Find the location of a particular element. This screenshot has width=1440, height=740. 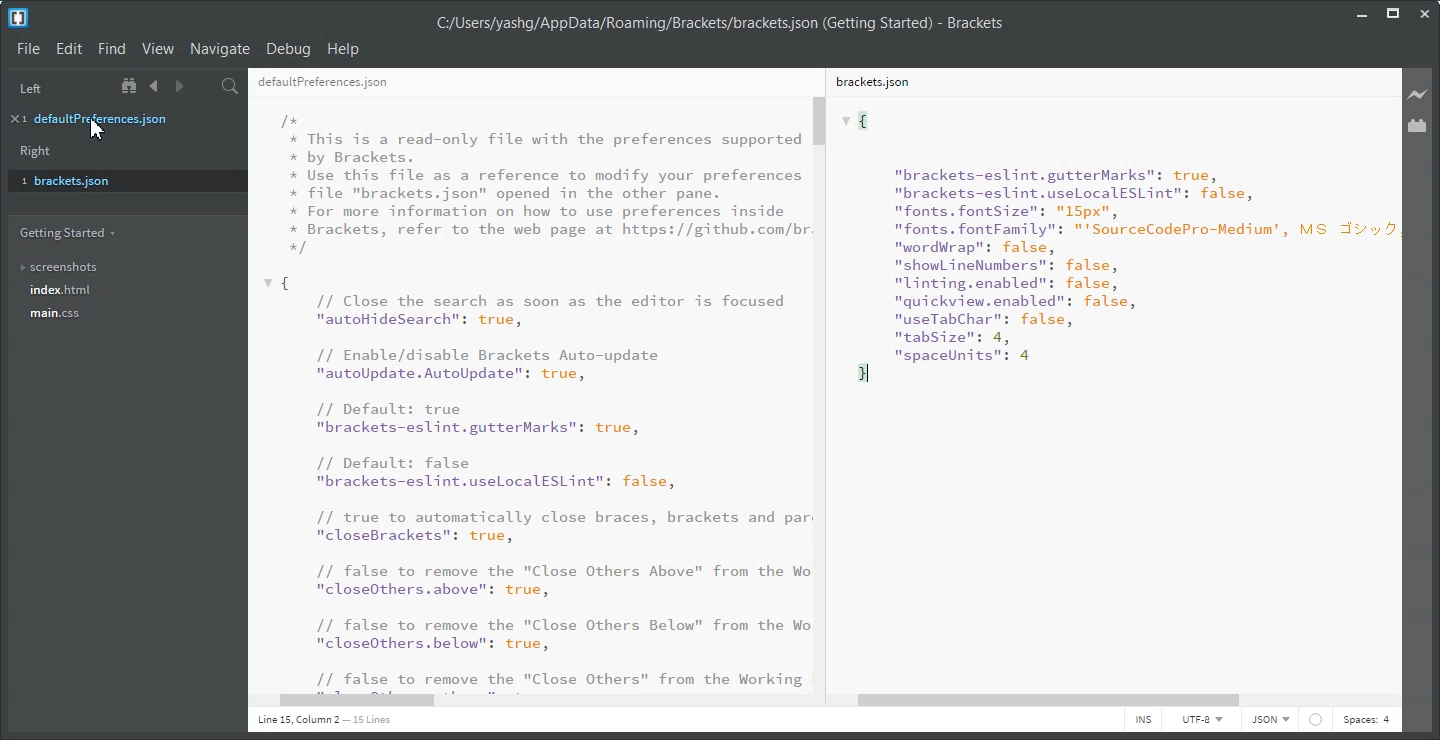

index.html is located at coordinates (124, 291).